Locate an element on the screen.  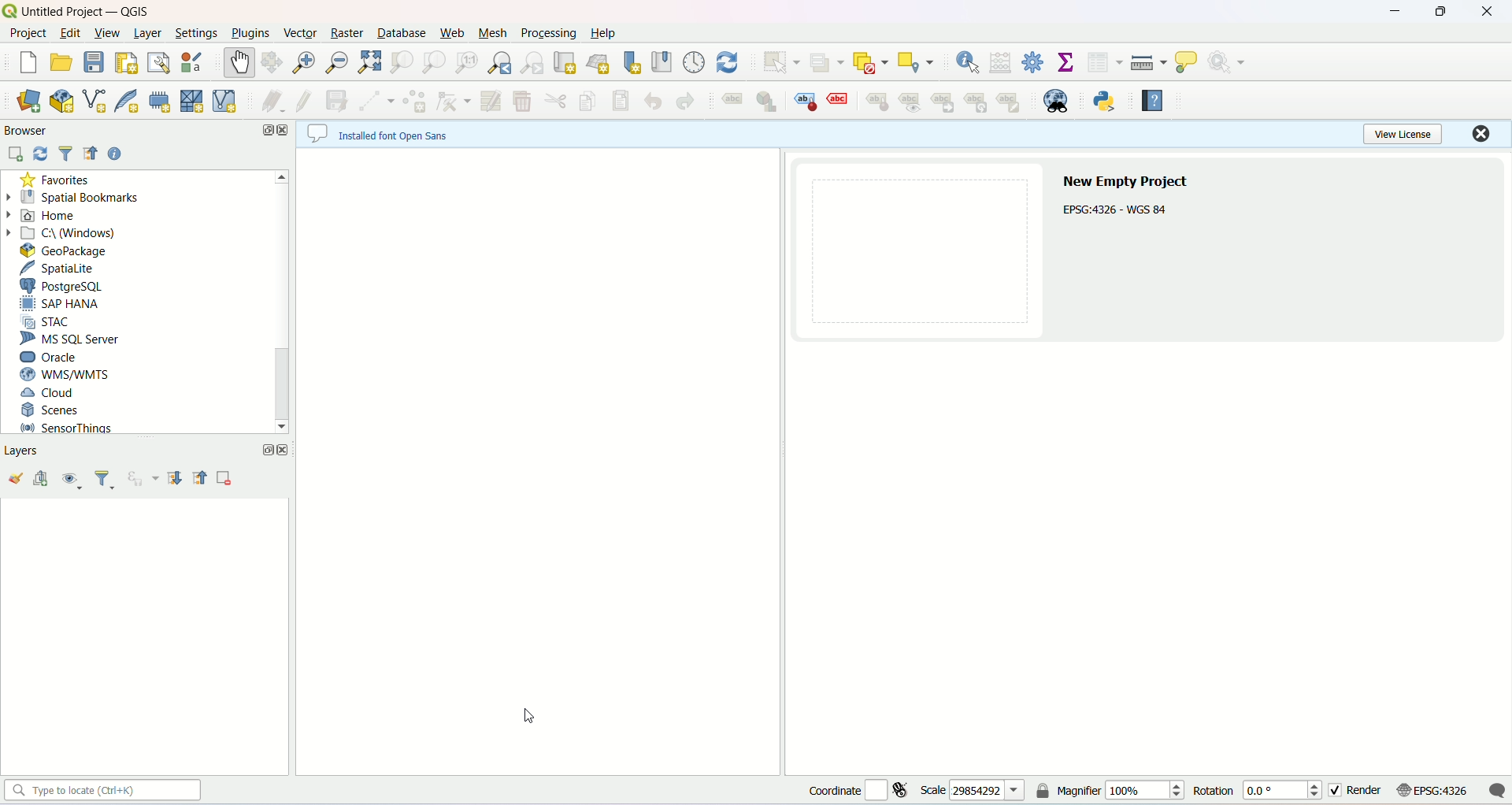
show/hide labels and diagram is located at coordinates (913, 103).